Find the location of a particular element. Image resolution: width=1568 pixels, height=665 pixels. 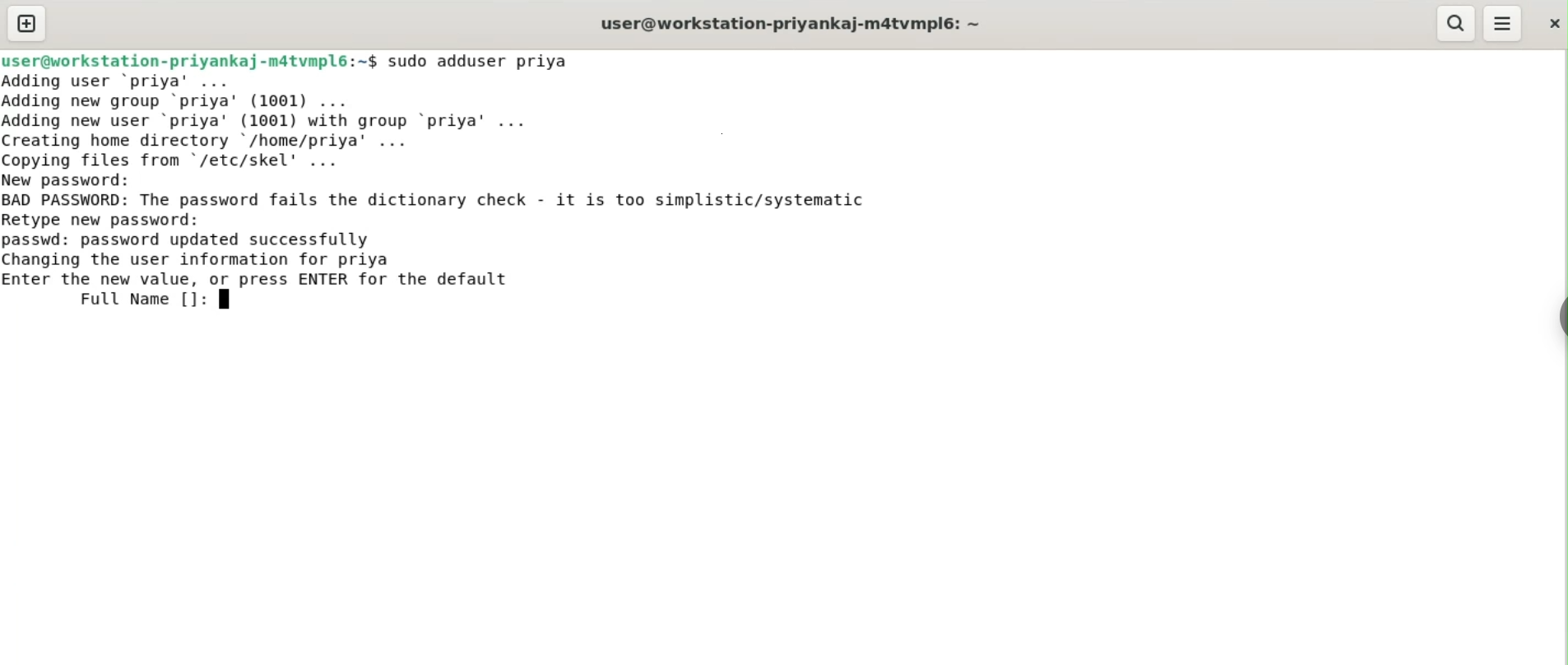

fulll name is located at coordinates (154, 298).